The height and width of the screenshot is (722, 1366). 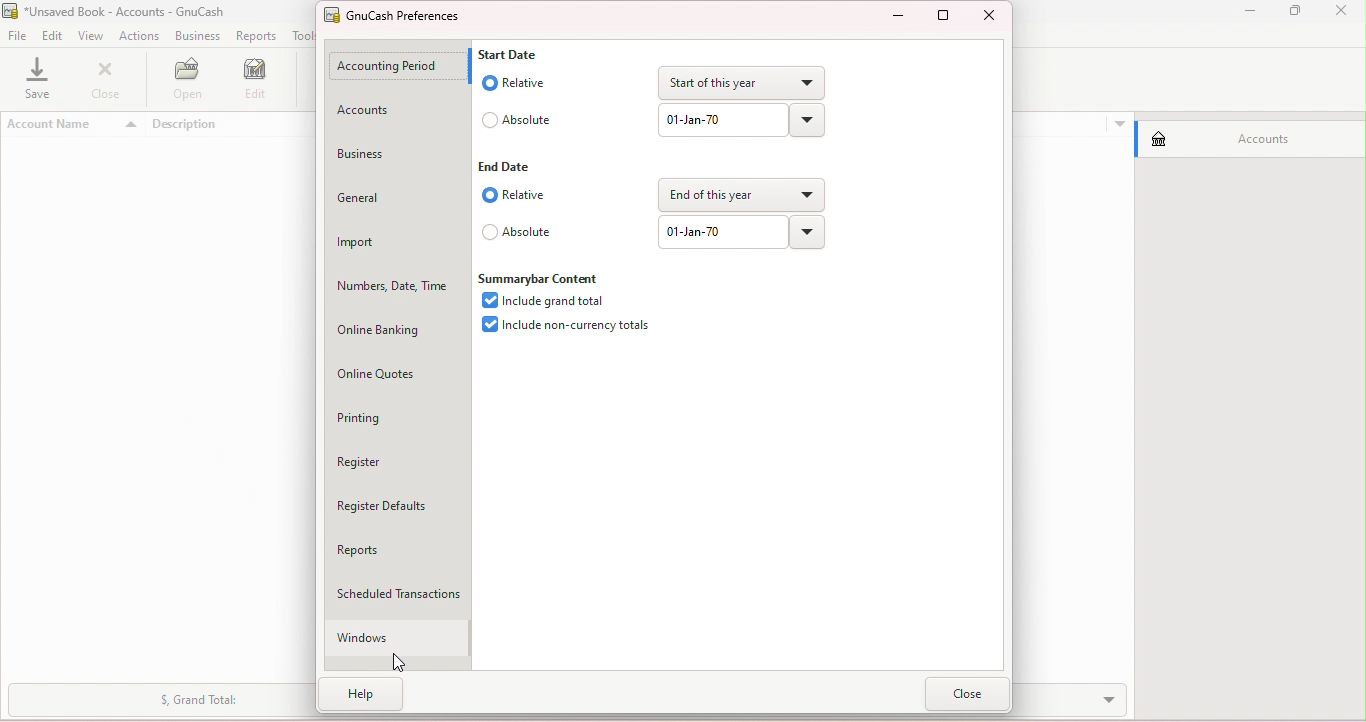 I want to click on Accounts, so click(x=1245, y=136).